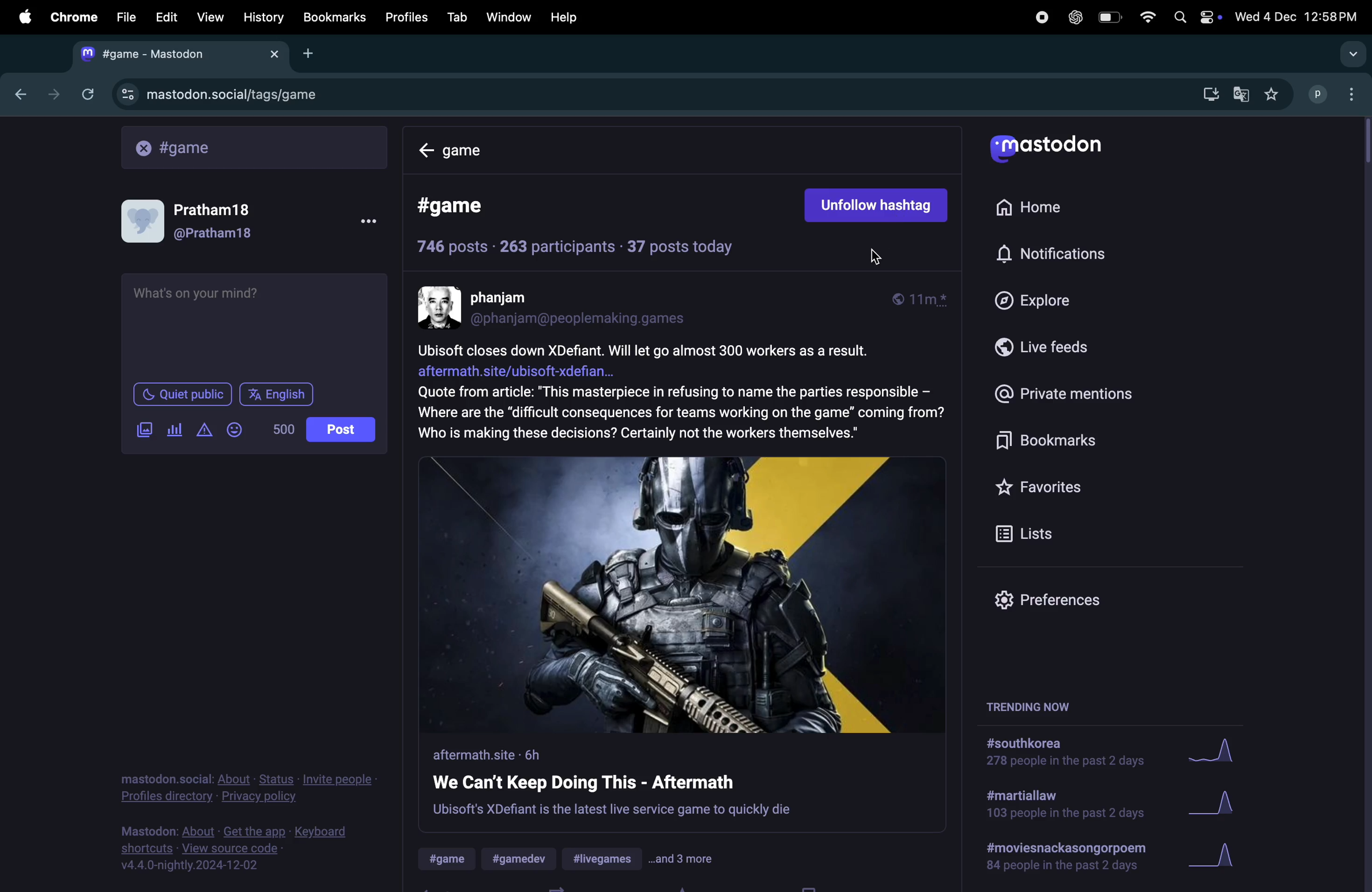  Describe the element at coordinates (1076, 17) in the screenshot. I see `chatgpt` at that location.